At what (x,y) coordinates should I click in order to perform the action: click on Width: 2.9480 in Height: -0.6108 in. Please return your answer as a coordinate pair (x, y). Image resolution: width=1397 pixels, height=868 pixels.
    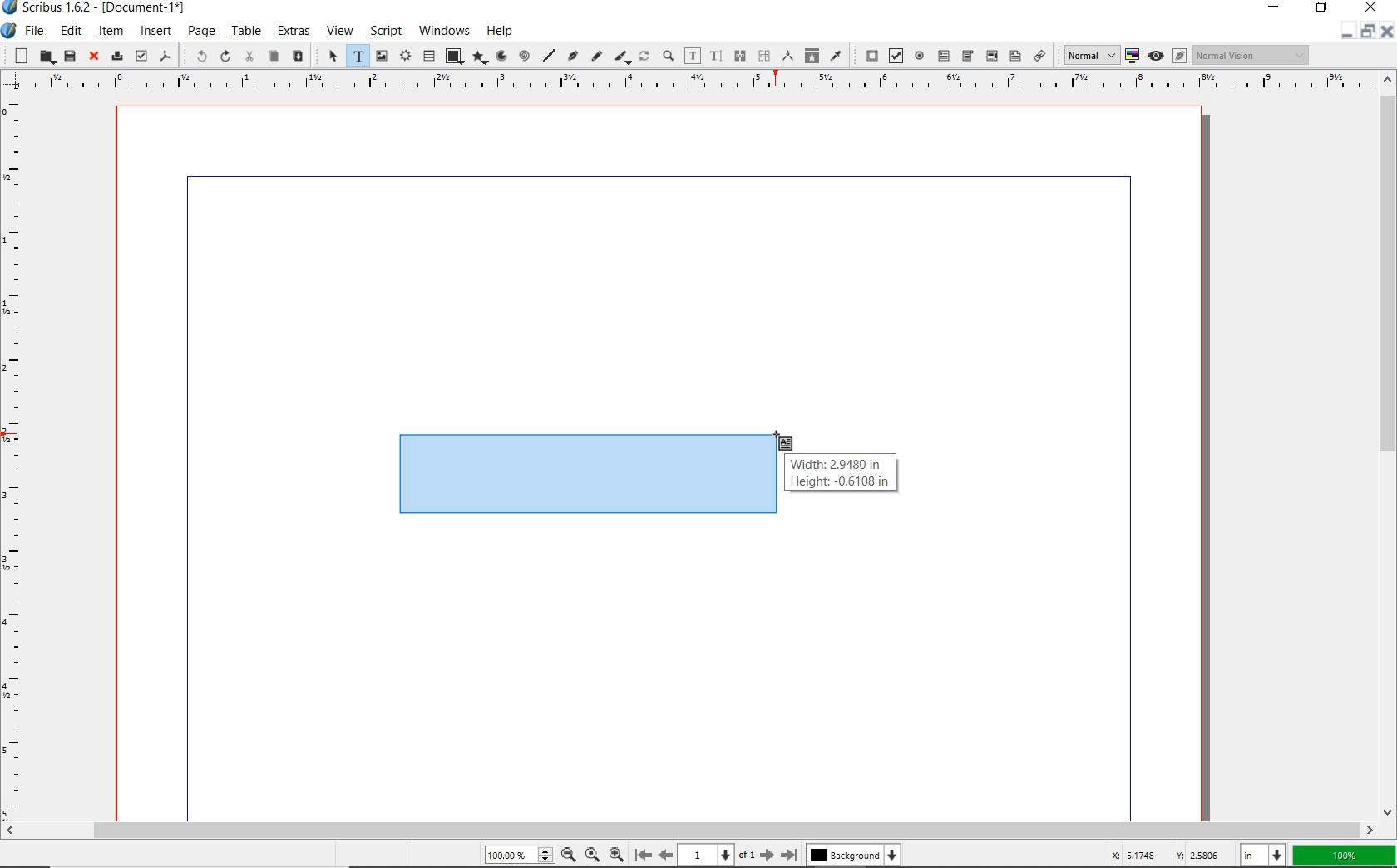
    Looking at the image, I should click on (841, 474).